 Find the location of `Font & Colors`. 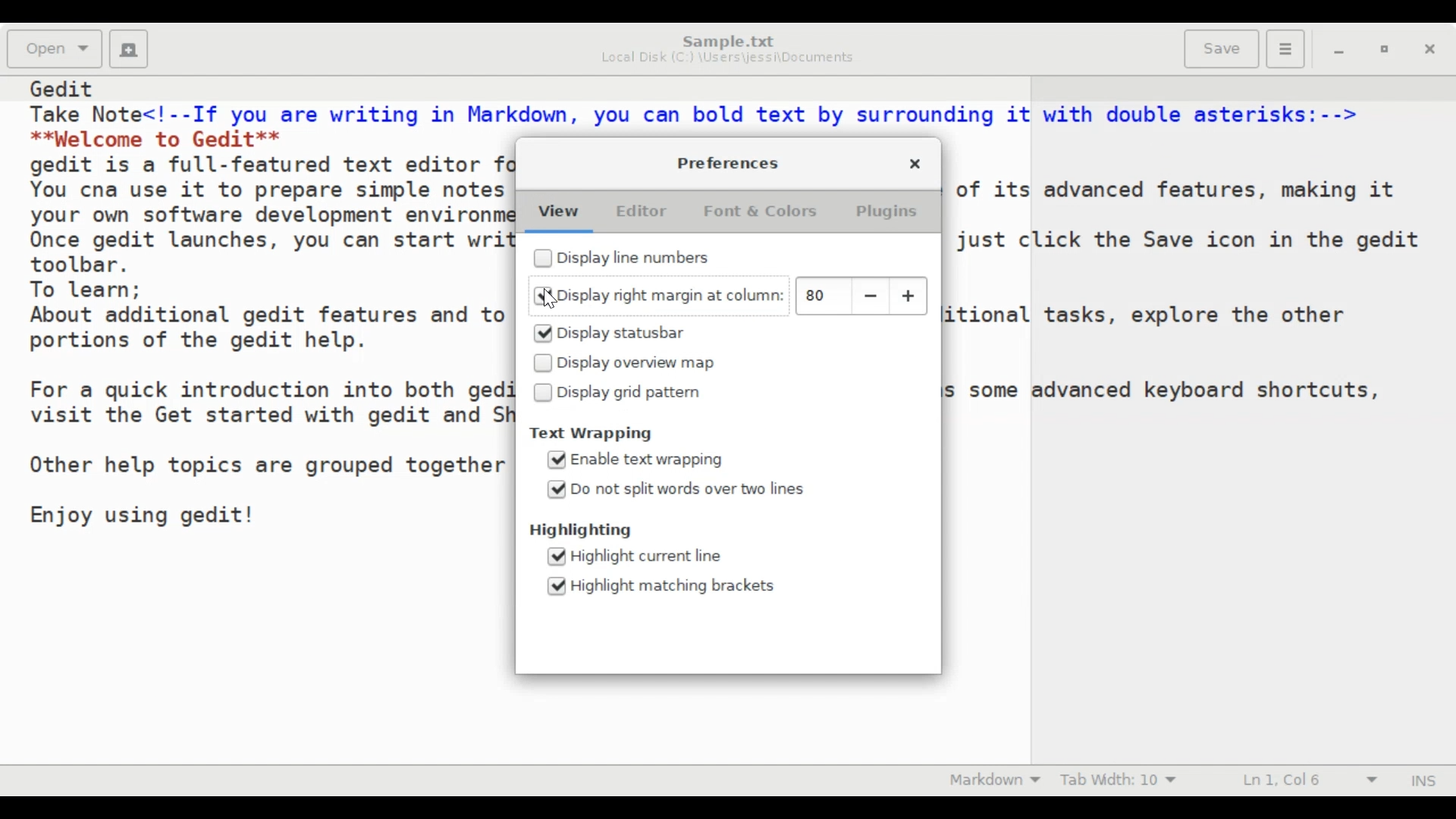

Font & Colors is located at coordinates (767, 211).